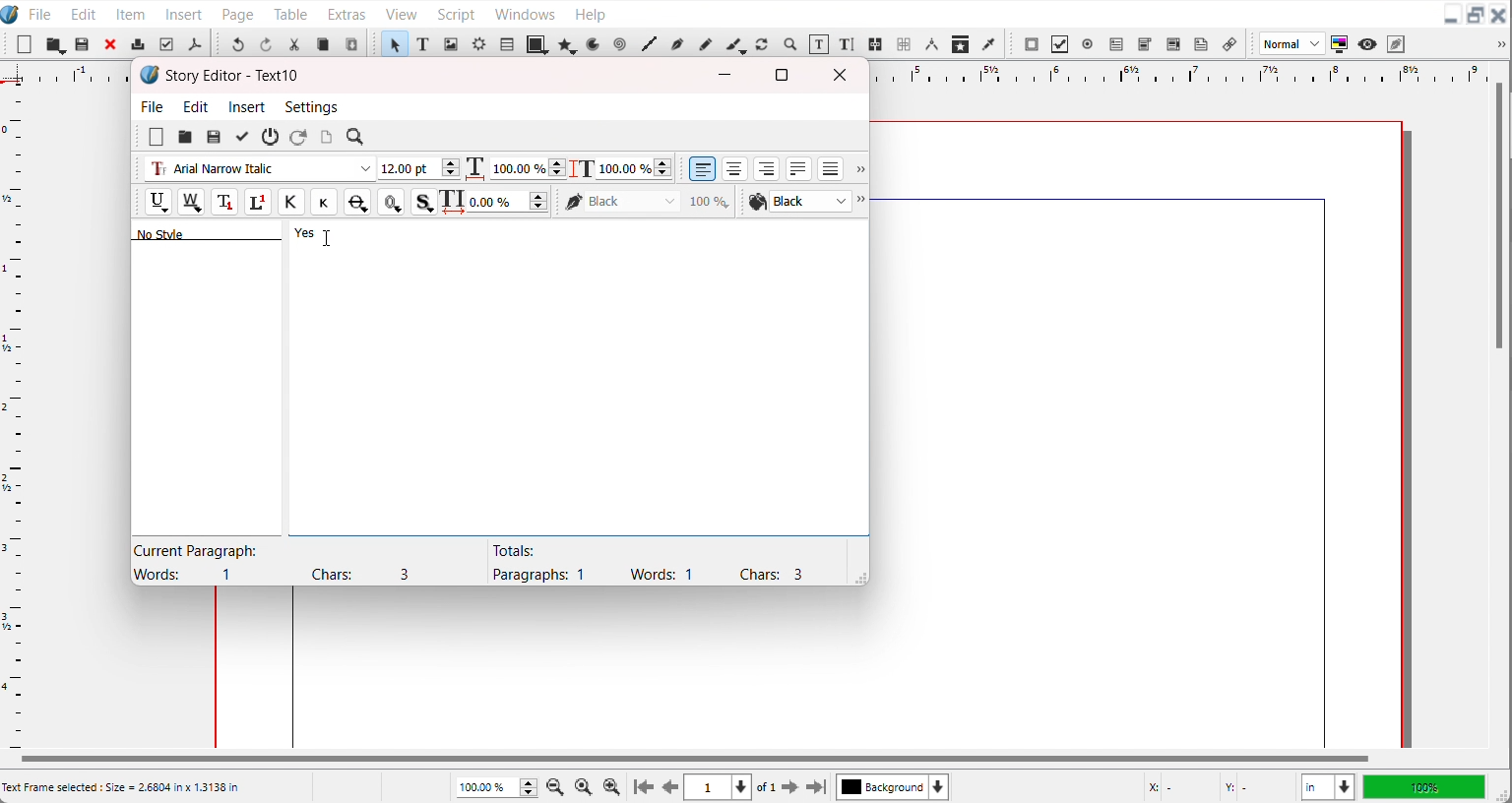  I want to click on Edit, so click(81, 13).